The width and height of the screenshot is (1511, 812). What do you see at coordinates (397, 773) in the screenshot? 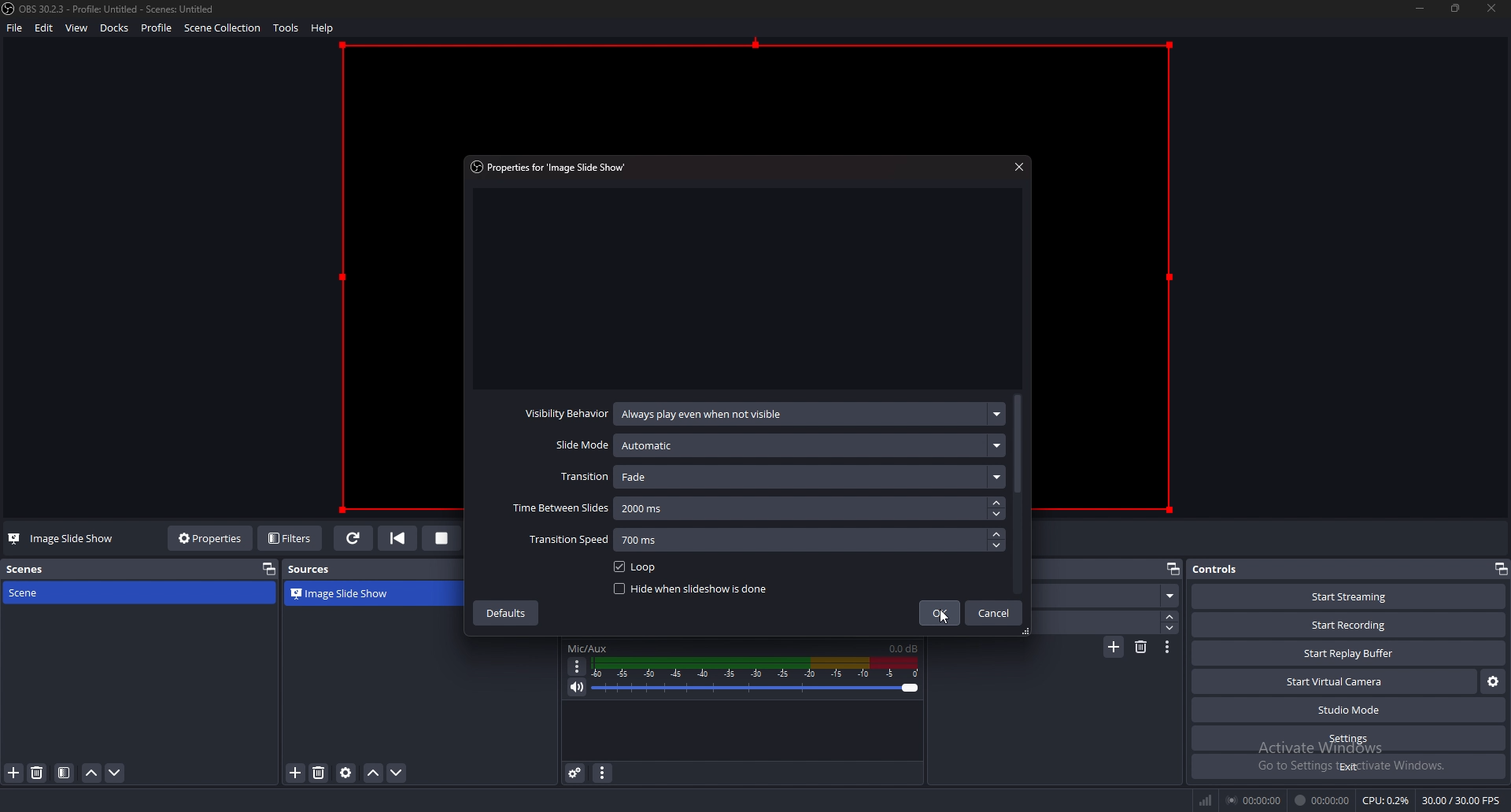
I see `move source down` at bounding box center [397, 773].